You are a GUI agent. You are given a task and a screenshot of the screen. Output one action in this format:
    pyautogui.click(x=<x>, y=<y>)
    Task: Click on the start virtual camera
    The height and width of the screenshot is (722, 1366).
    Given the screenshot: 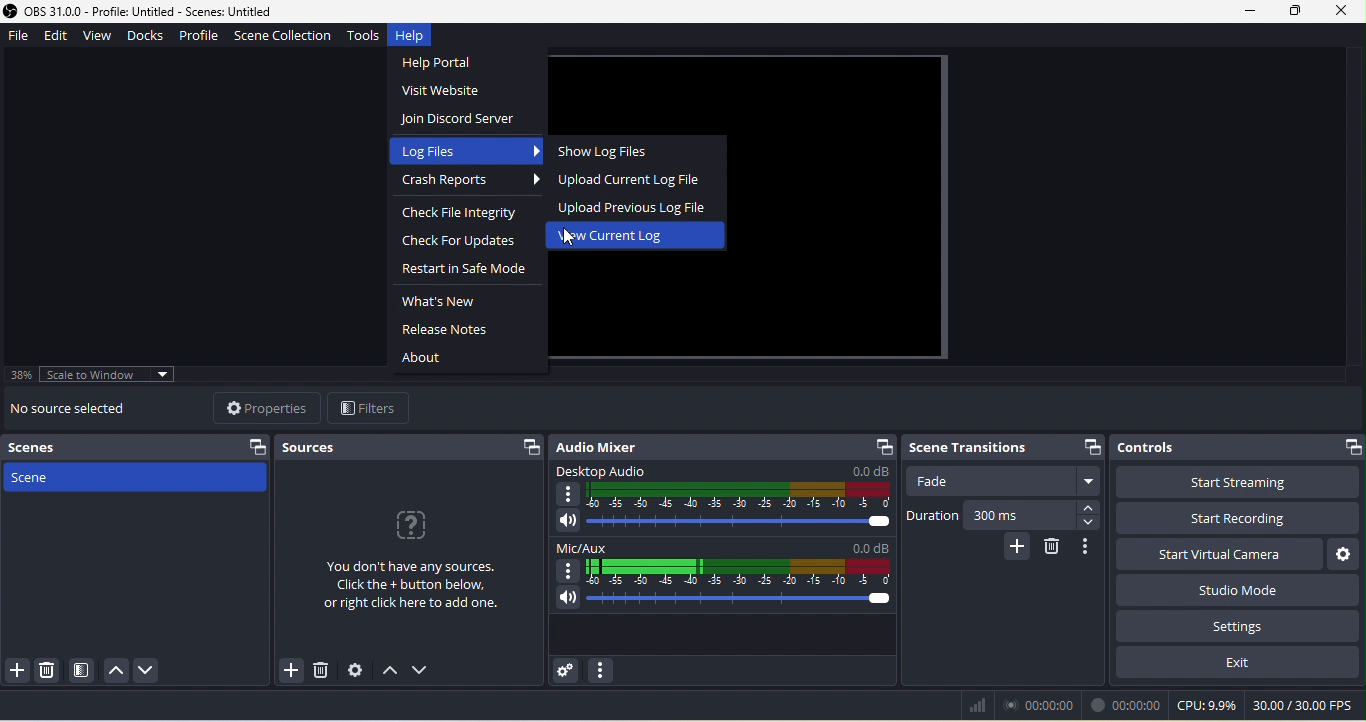 What is the action you would take?
    pyautogui.click(x=1211, y=553)
    